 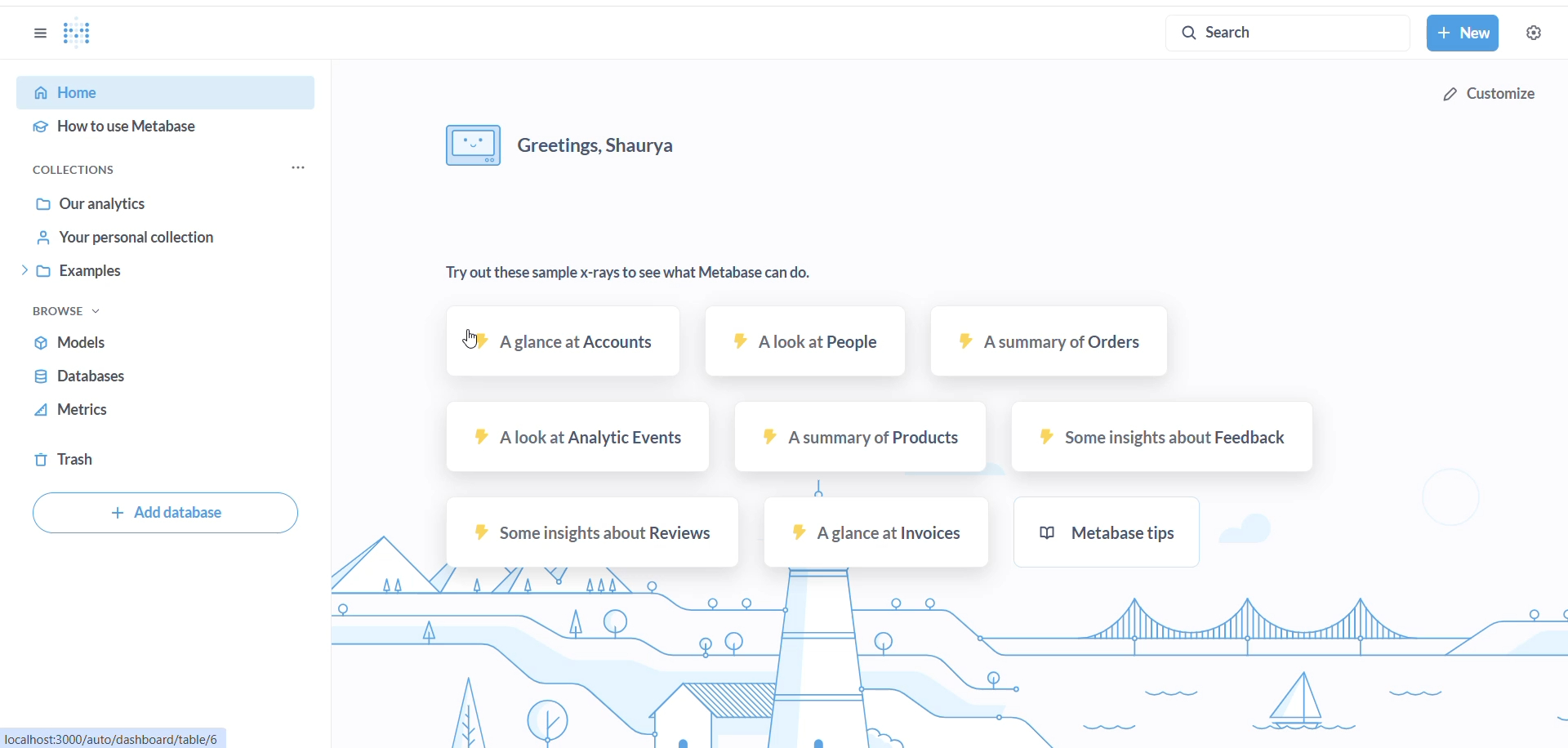 I want to click on some insights about reviews sample, so click(x=581, y=537).